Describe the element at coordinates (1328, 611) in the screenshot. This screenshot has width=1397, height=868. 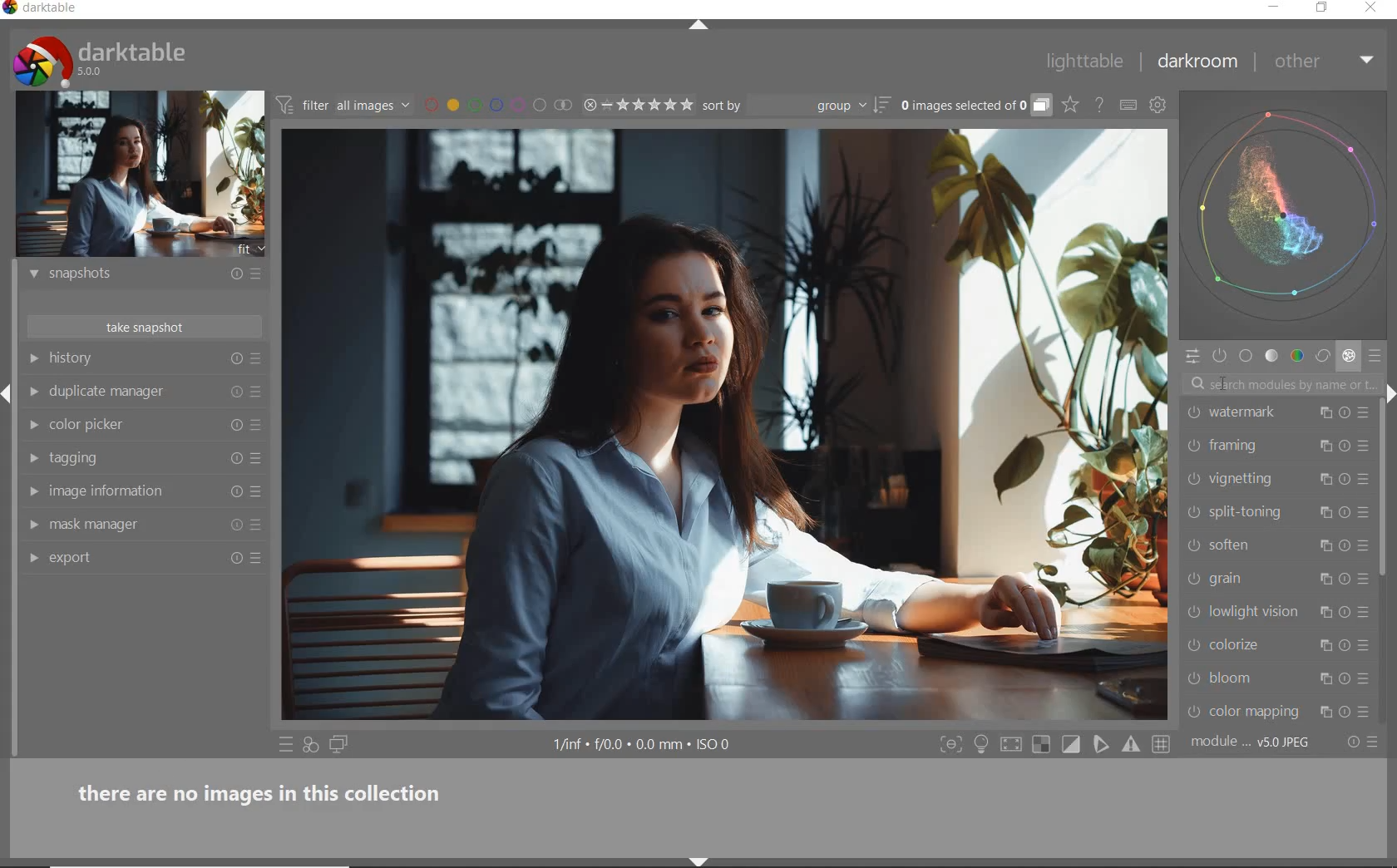
I see `multiple instance actions` at that location.